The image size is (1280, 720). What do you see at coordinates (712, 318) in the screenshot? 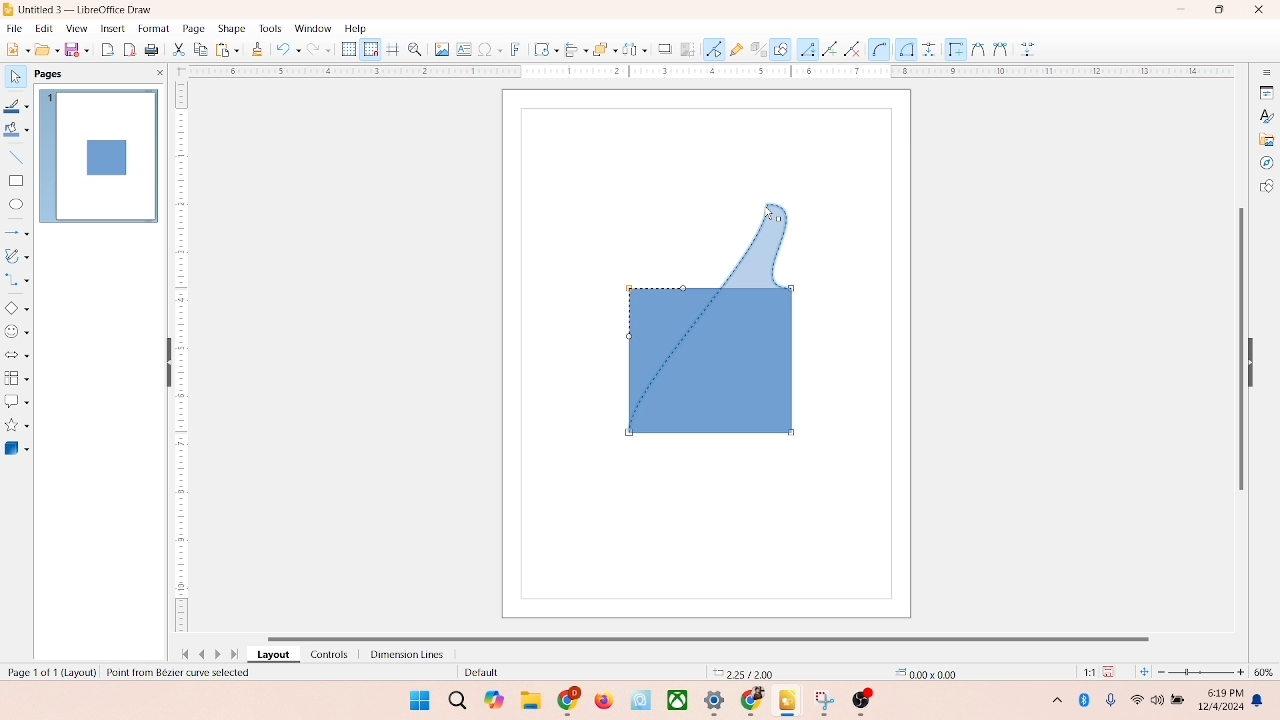
I see `shapes` at bounding box center [712, 318].